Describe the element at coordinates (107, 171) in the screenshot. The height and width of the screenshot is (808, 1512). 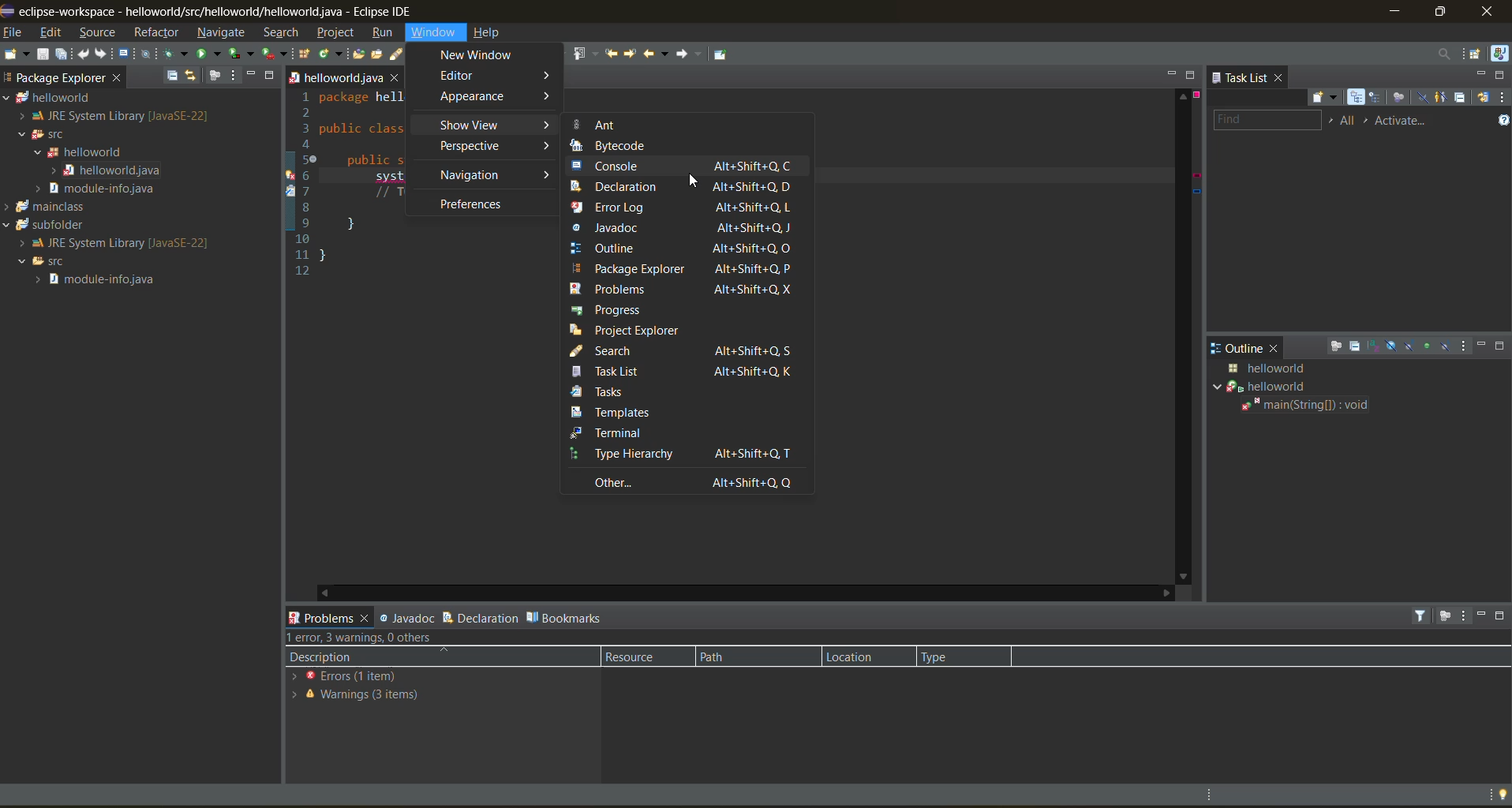
I see `helloworld java` at that location.